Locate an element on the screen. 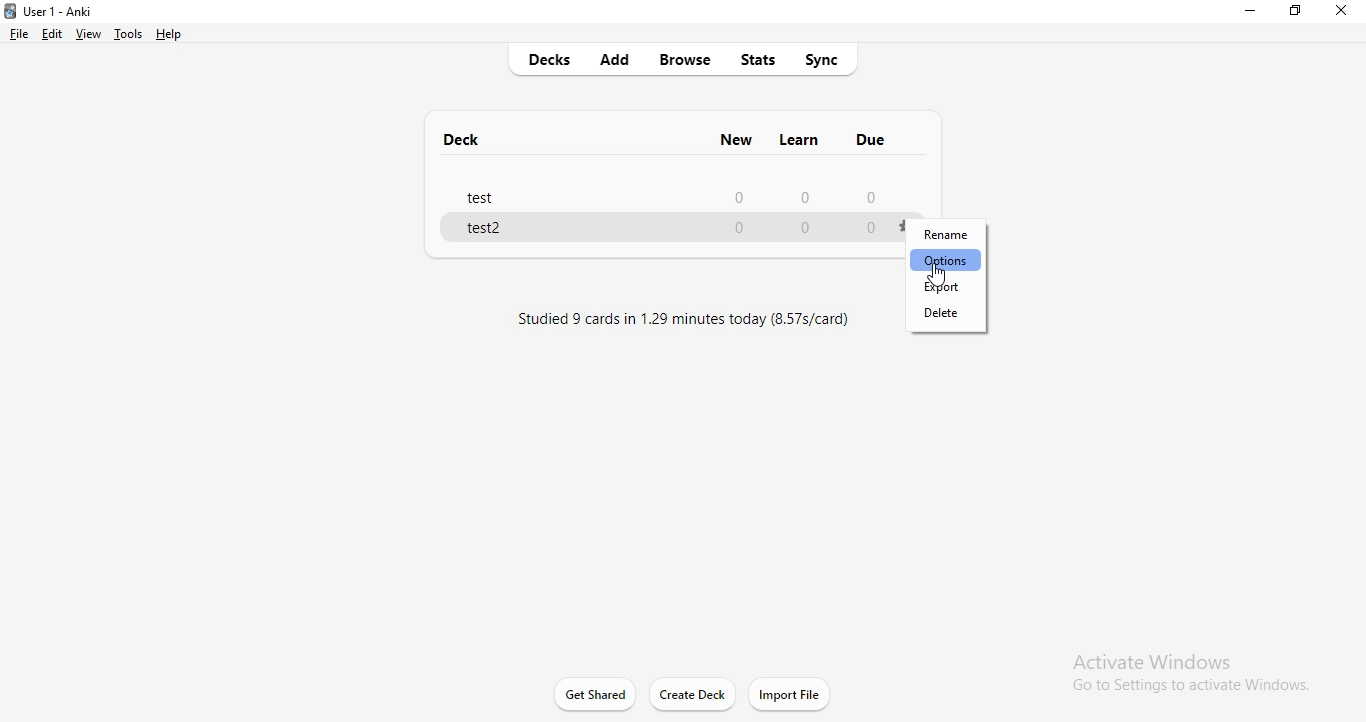 This screenshot has height=722, width=1366. 0 is located at coordinates (874, 194).